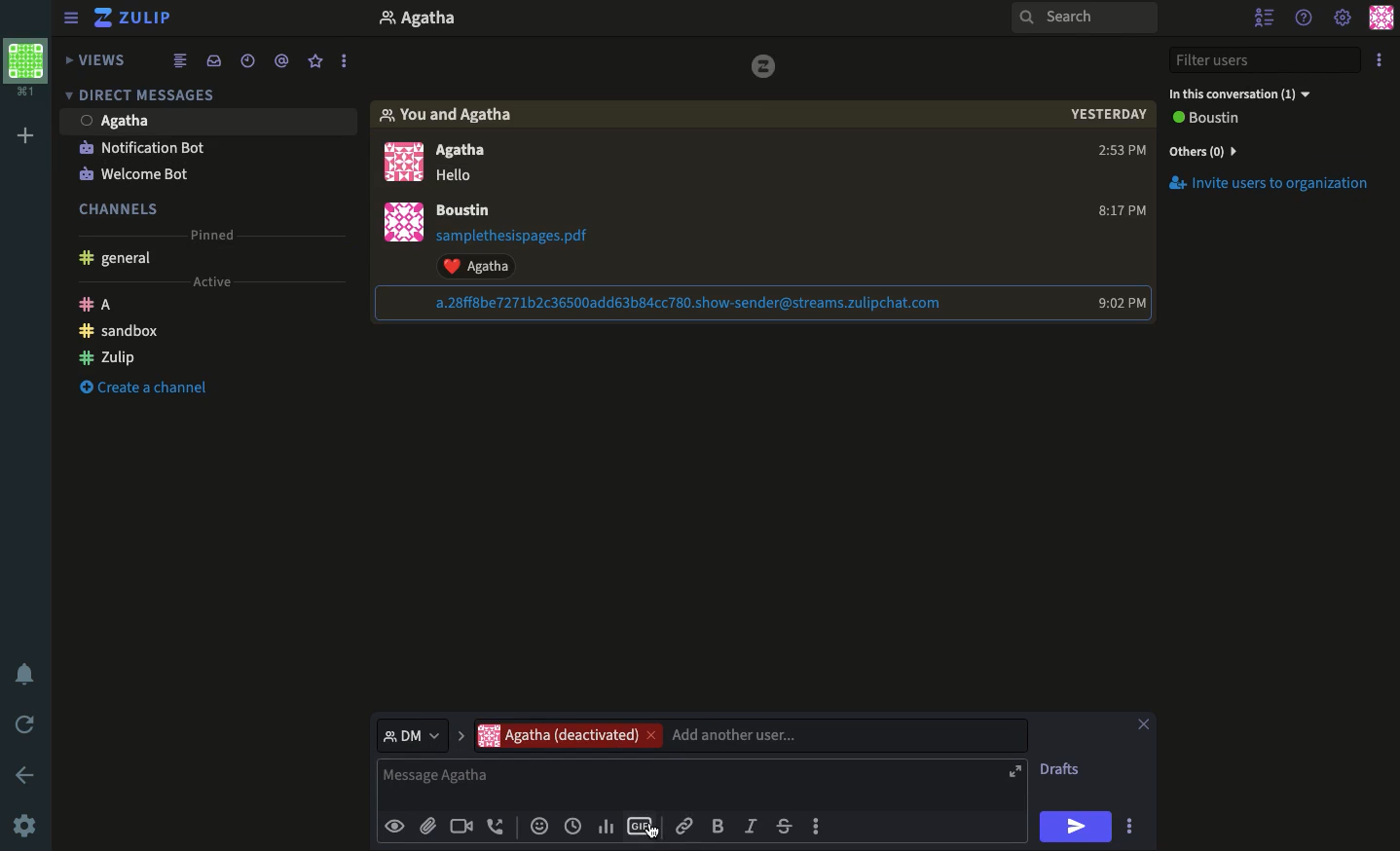 This screenshot has height=851, width=1400. I want to click on Go back, so click(26, 774).